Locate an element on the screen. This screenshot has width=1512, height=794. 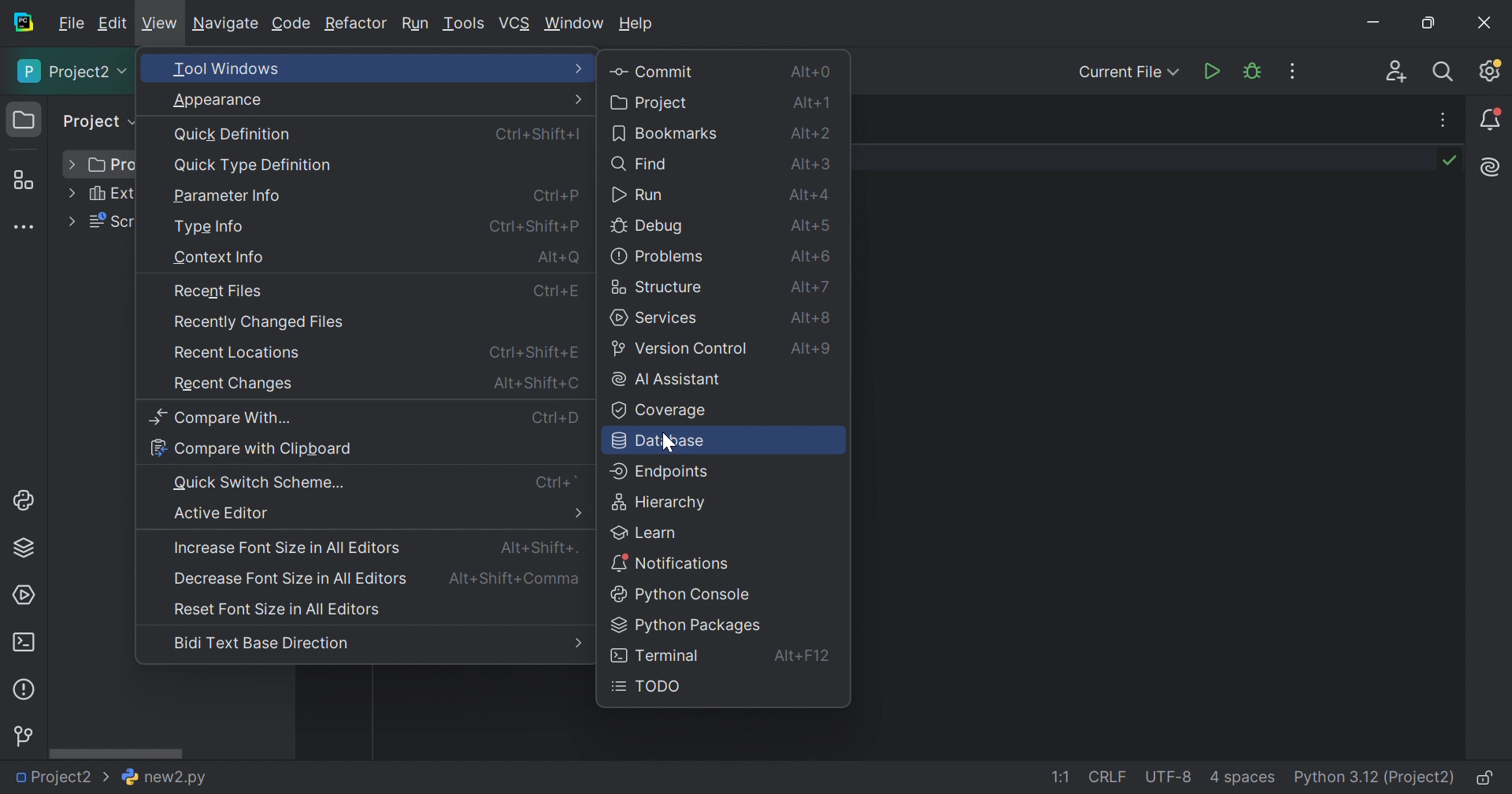
More is located at coordinates (72, 192).